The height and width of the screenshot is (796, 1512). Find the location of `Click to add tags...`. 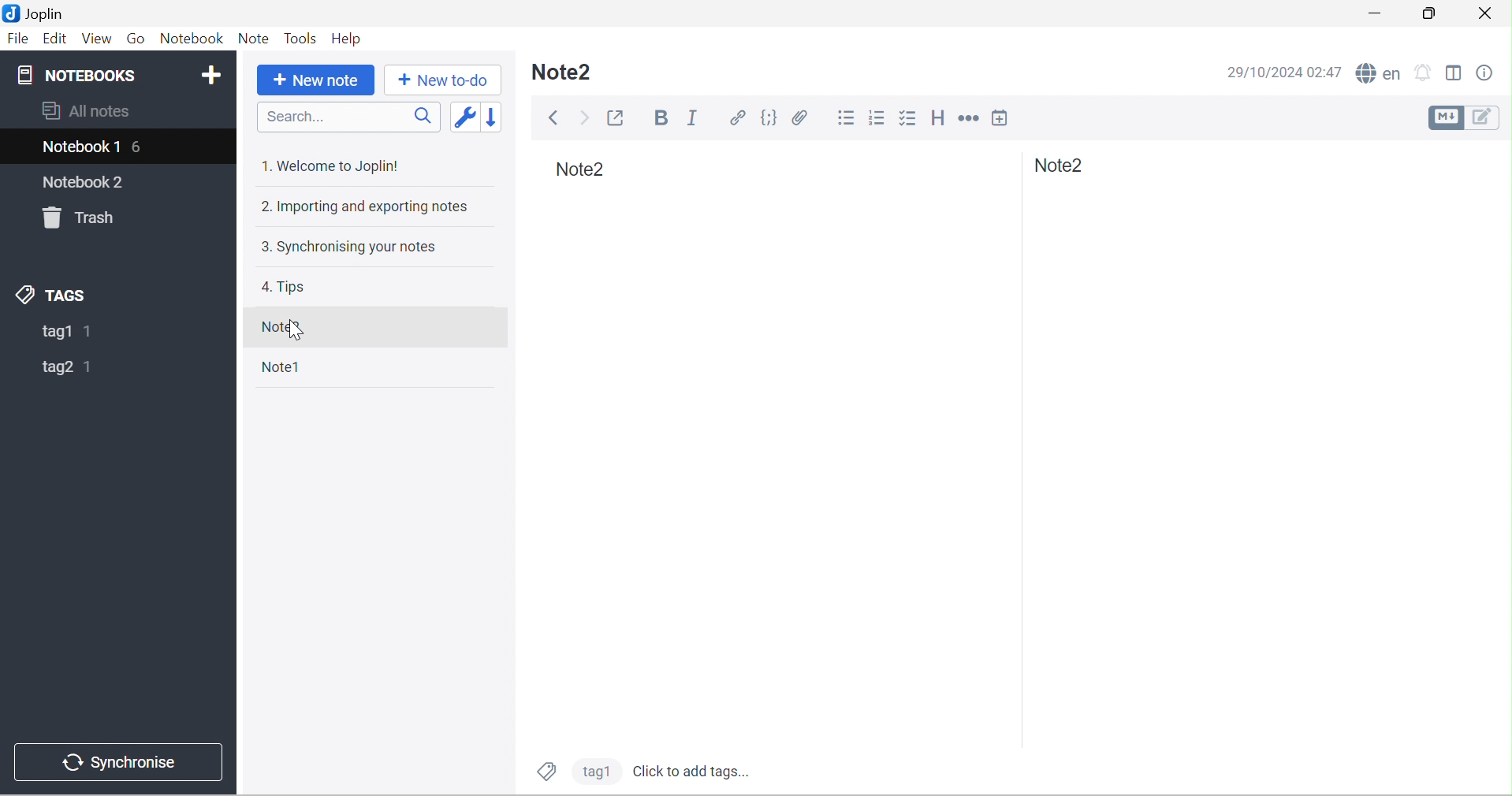

Click to add tags... is located at coordinates (690, 772).